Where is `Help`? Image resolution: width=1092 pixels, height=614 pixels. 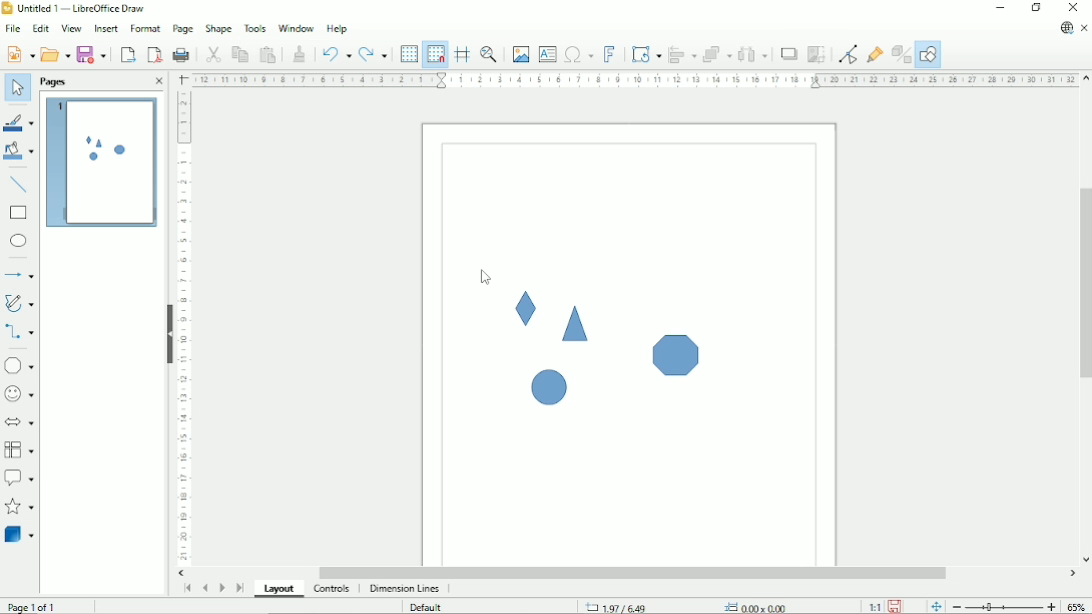
Help is located at coordinates (337, 29).